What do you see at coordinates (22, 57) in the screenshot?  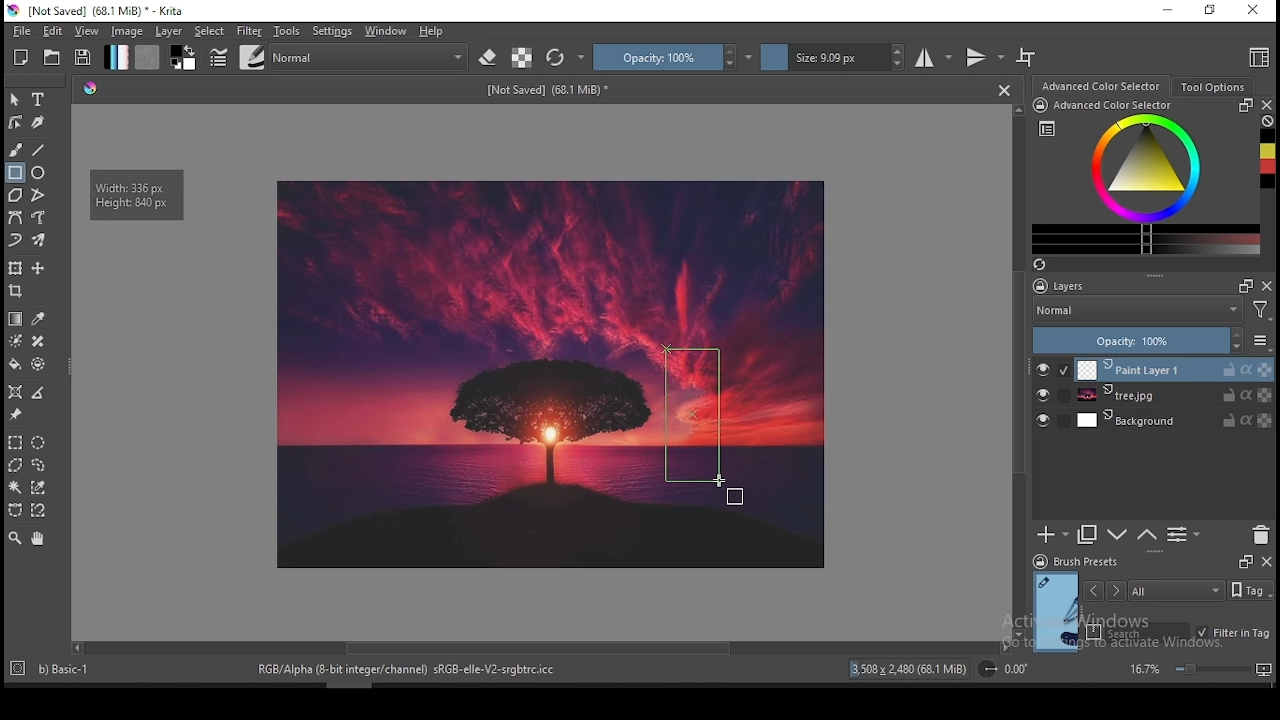 I see `new` at bounding box center [22, 57].